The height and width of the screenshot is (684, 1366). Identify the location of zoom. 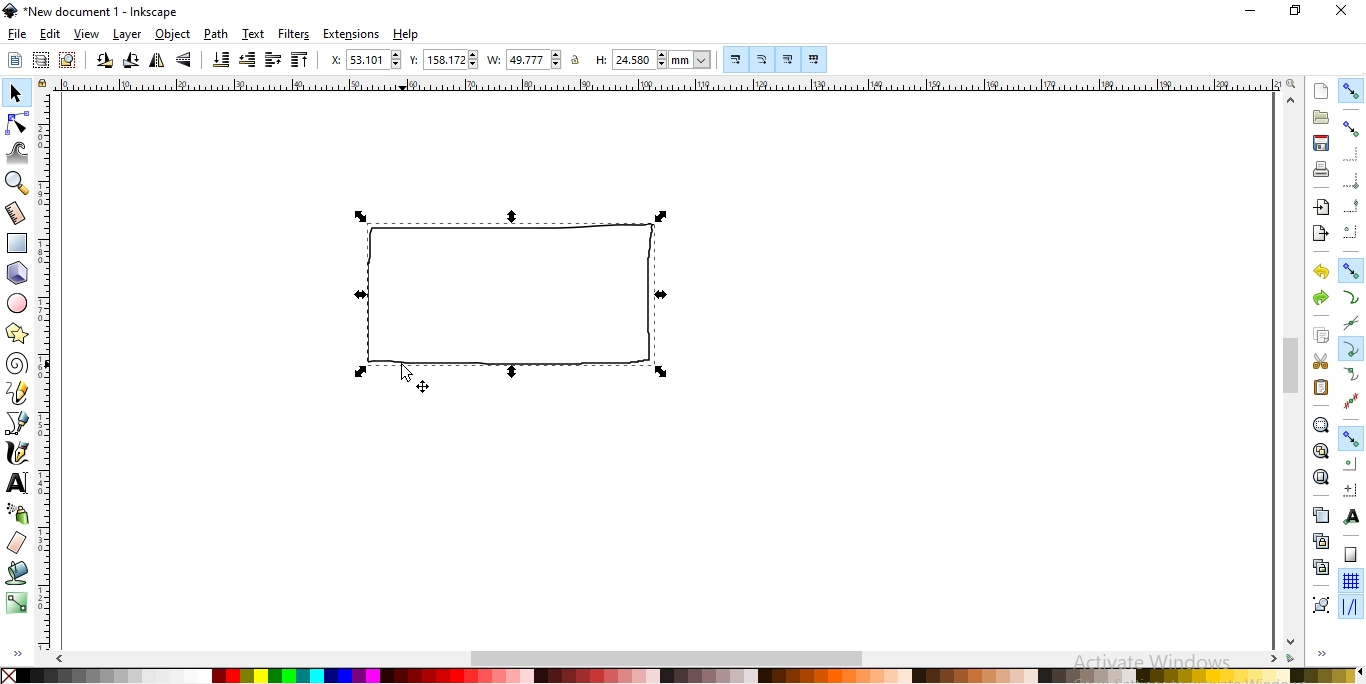
(1289, 84).